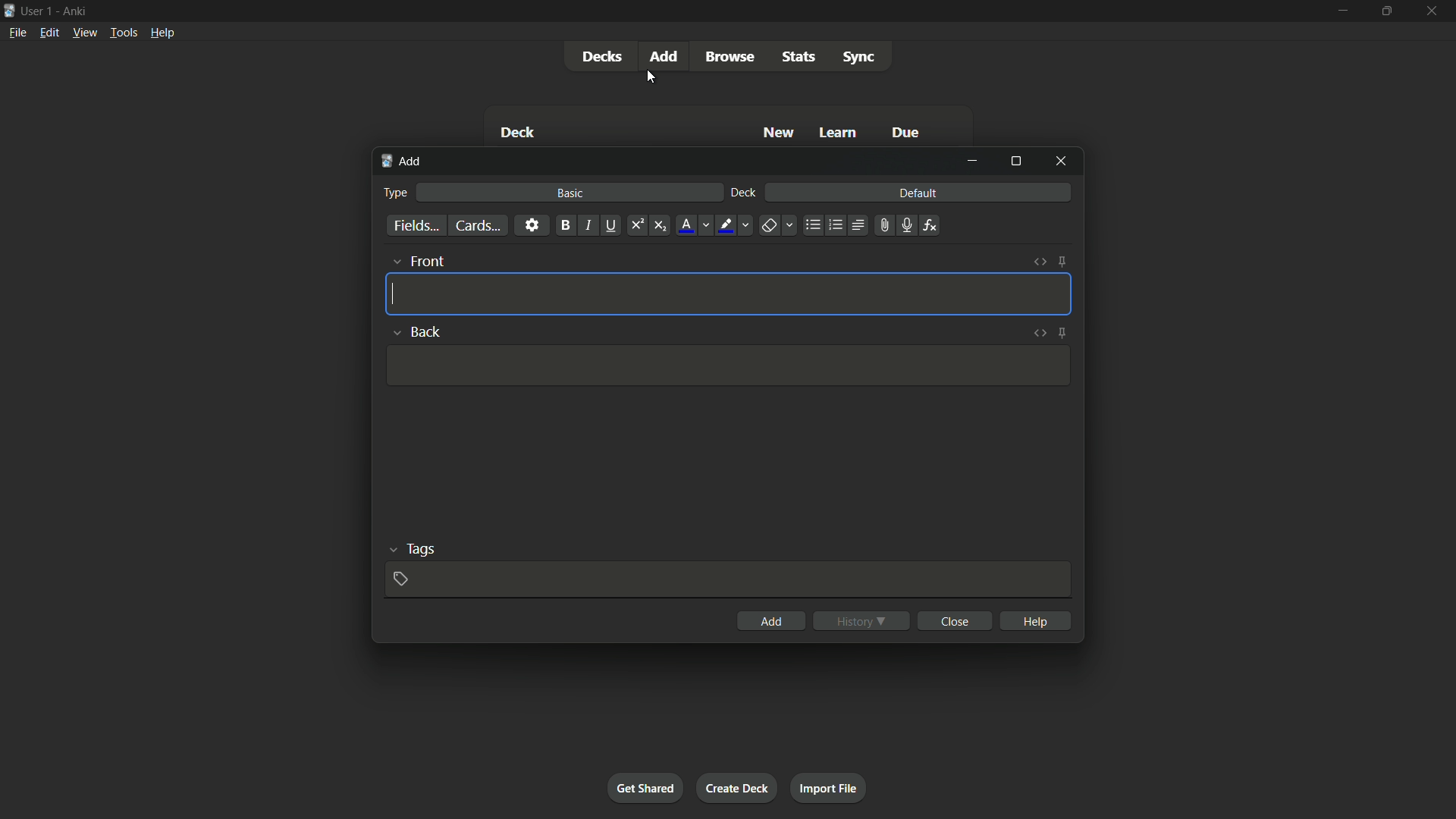 This screenshot has width=1456, height=819. Describe the element at coordinates (687, 225) in the screenshot. I see `font color` at that location.